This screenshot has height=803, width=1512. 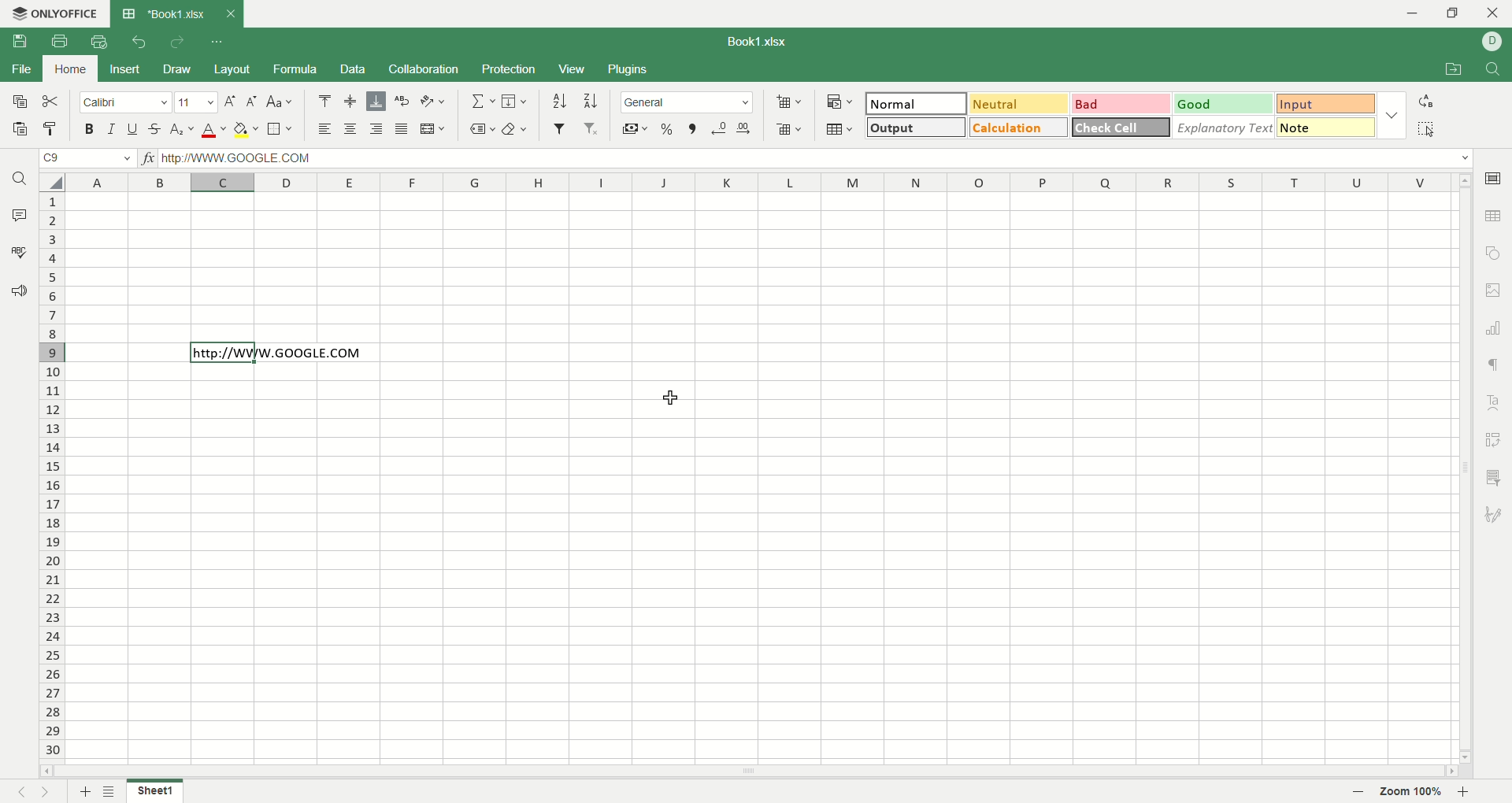 I want to click on font color, so click(x=216, y=129).